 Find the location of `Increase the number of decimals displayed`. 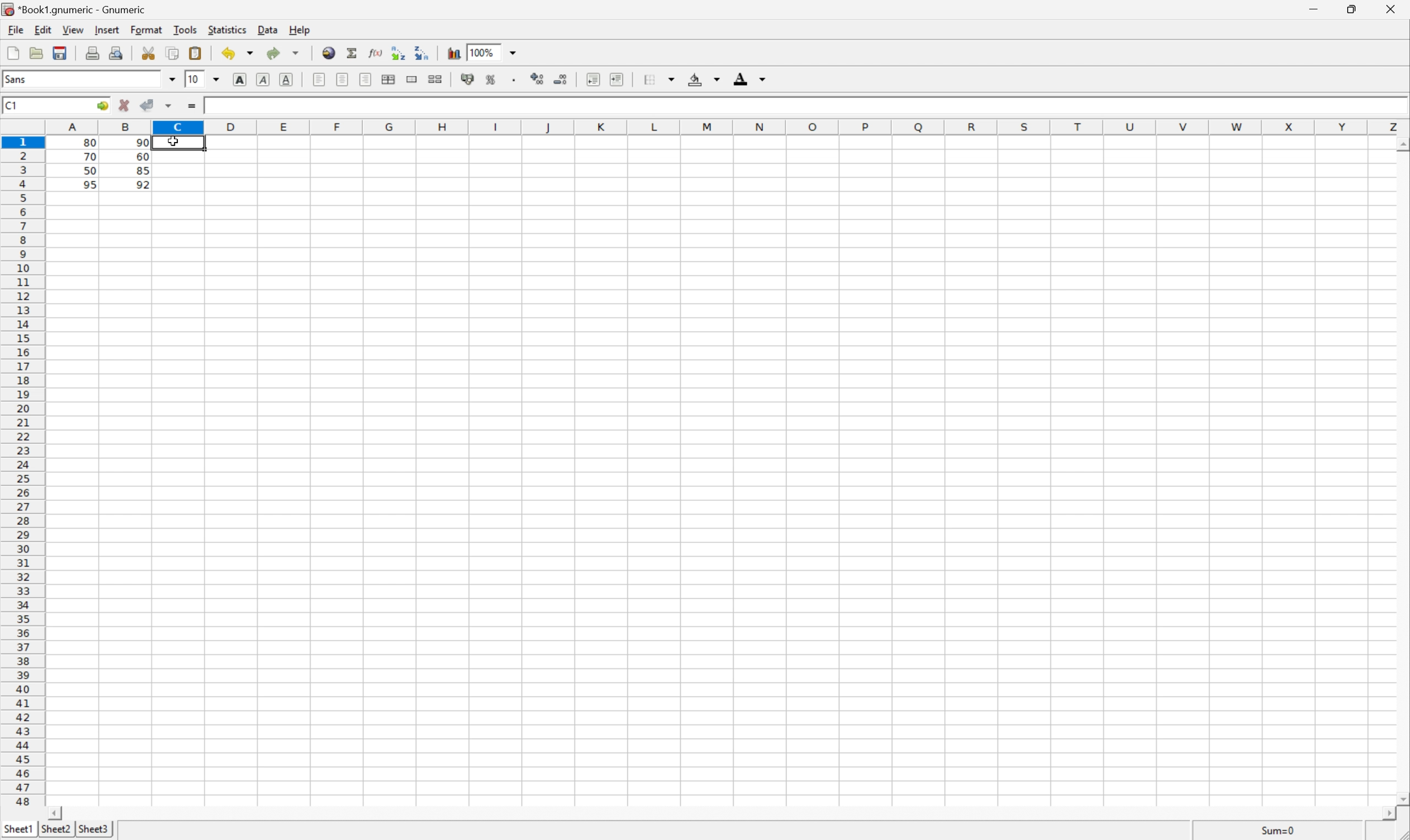

Increase the number of decimals displayed is located at coordinates (539, 79).